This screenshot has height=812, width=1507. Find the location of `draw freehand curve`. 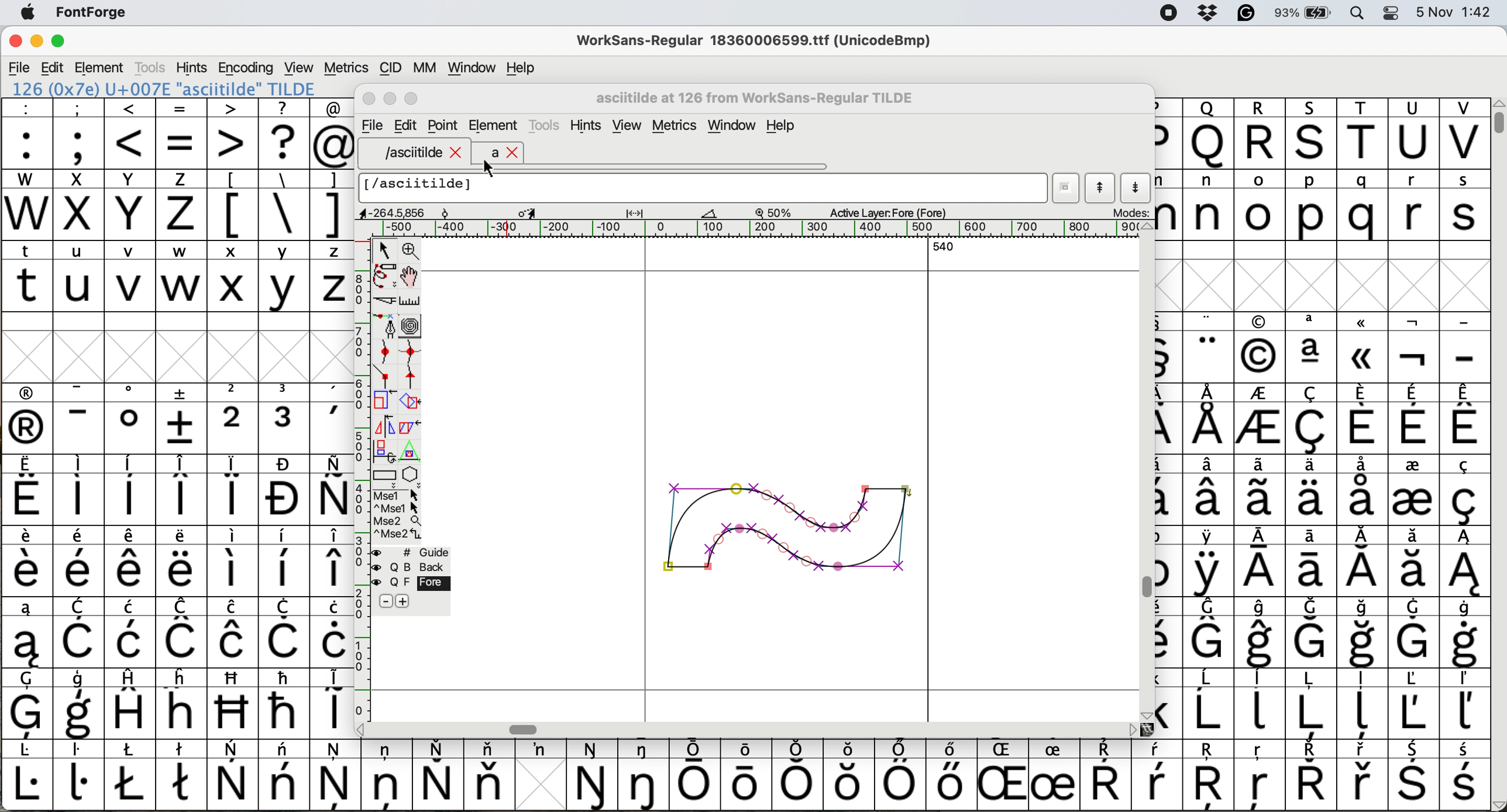

draw freehand curve is located at coordinates (384, 276).